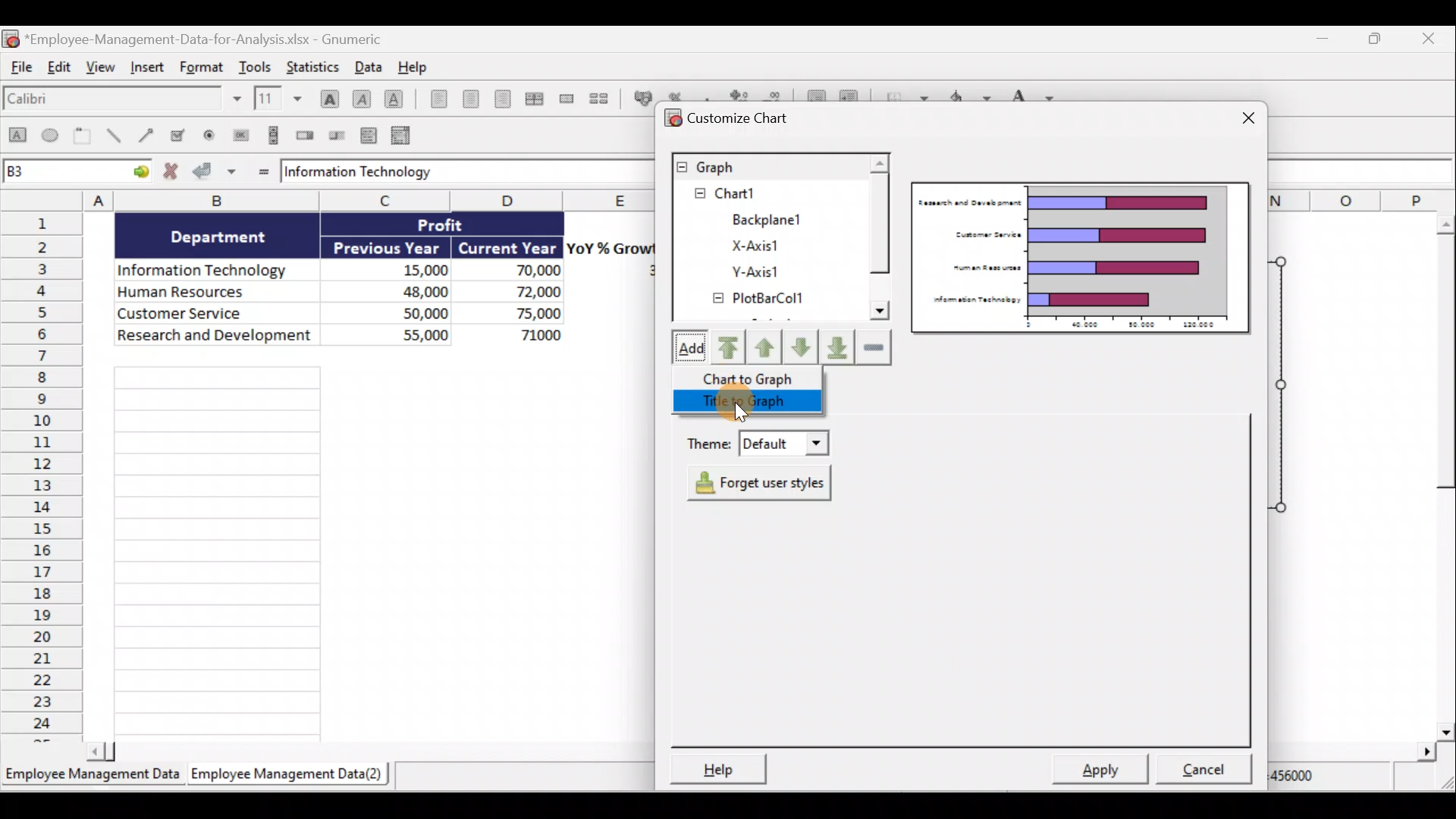  Describe the element at coordinates (102, 73) in the screenshot. I see `View` at that location.